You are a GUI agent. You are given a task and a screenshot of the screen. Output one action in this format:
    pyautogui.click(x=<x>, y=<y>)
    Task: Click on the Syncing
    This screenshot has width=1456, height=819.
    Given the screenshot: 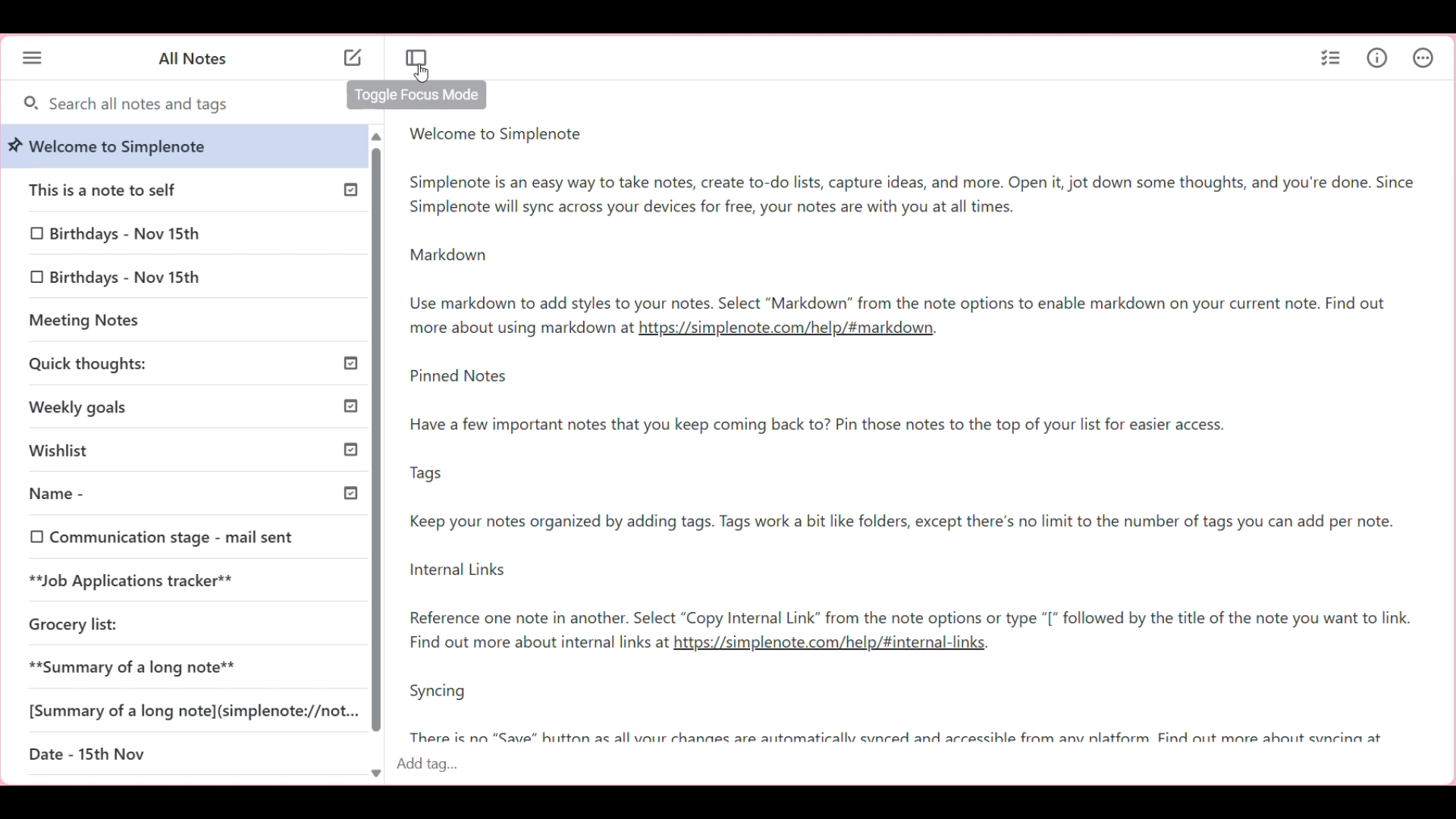 What is the action you would take?
    pyautogui.click(x=894, y=711)
    